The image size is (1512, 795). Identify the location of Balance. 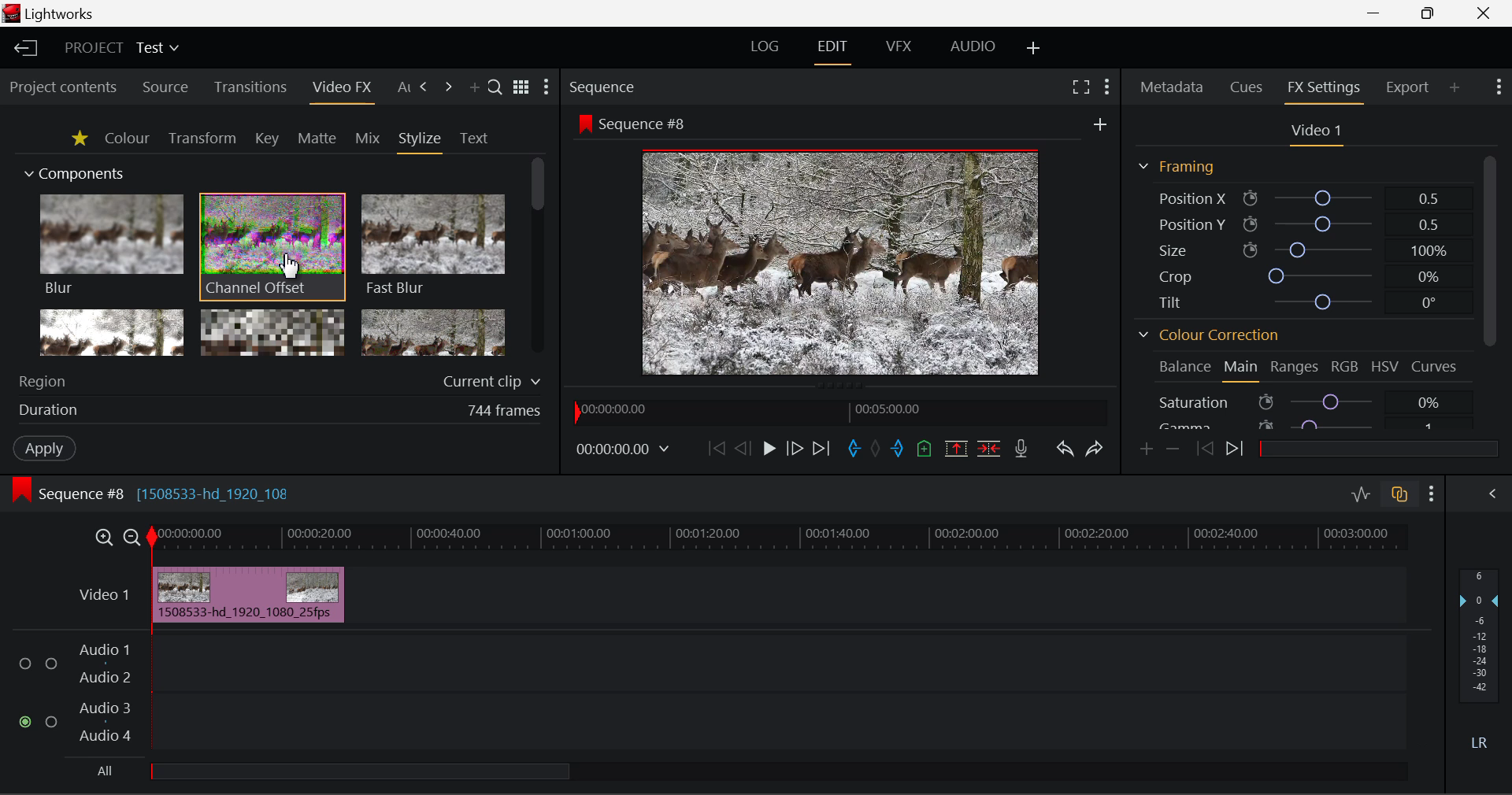
(1184, 364).